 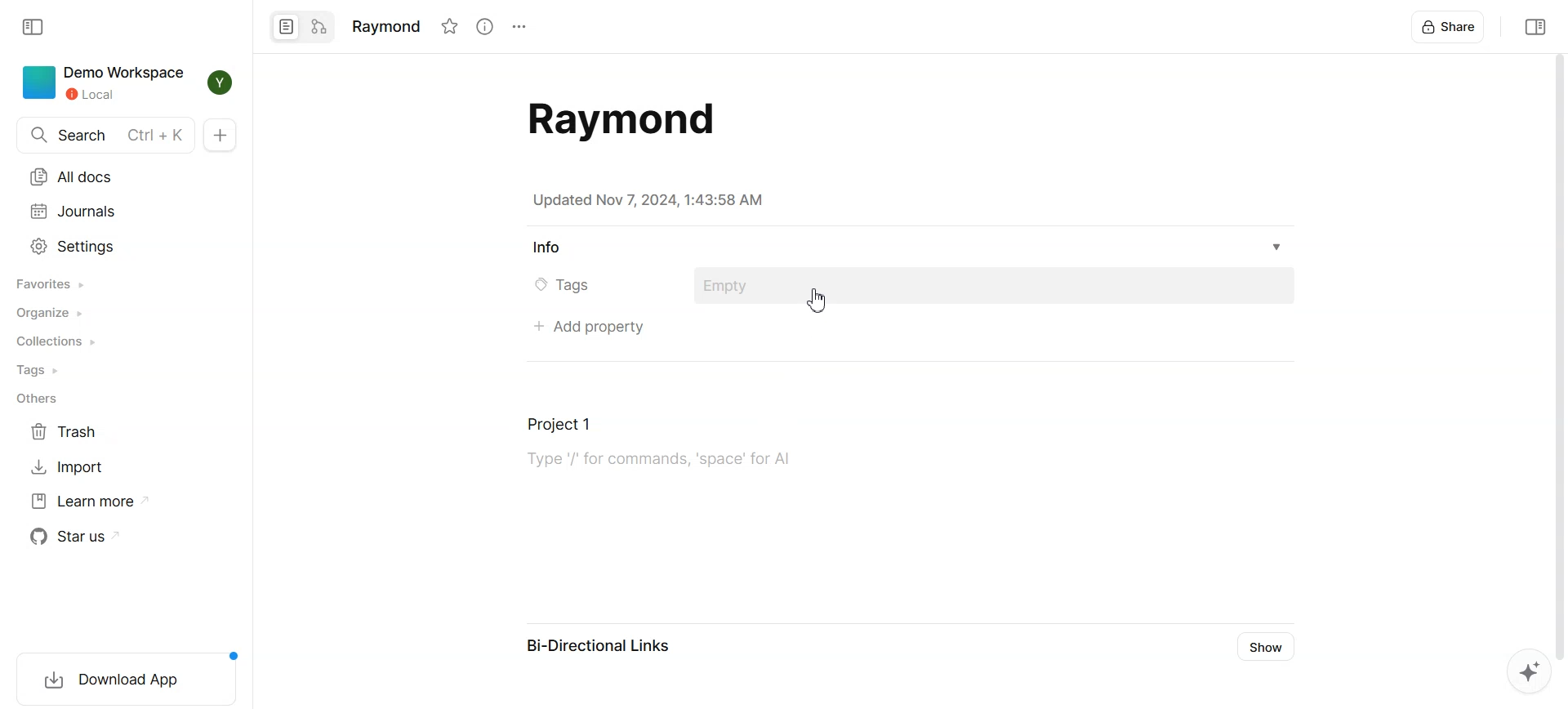 What do you see at coordinates (587, 328) in the screenshot?
I see `Add property` at bounding box center [587, 328].